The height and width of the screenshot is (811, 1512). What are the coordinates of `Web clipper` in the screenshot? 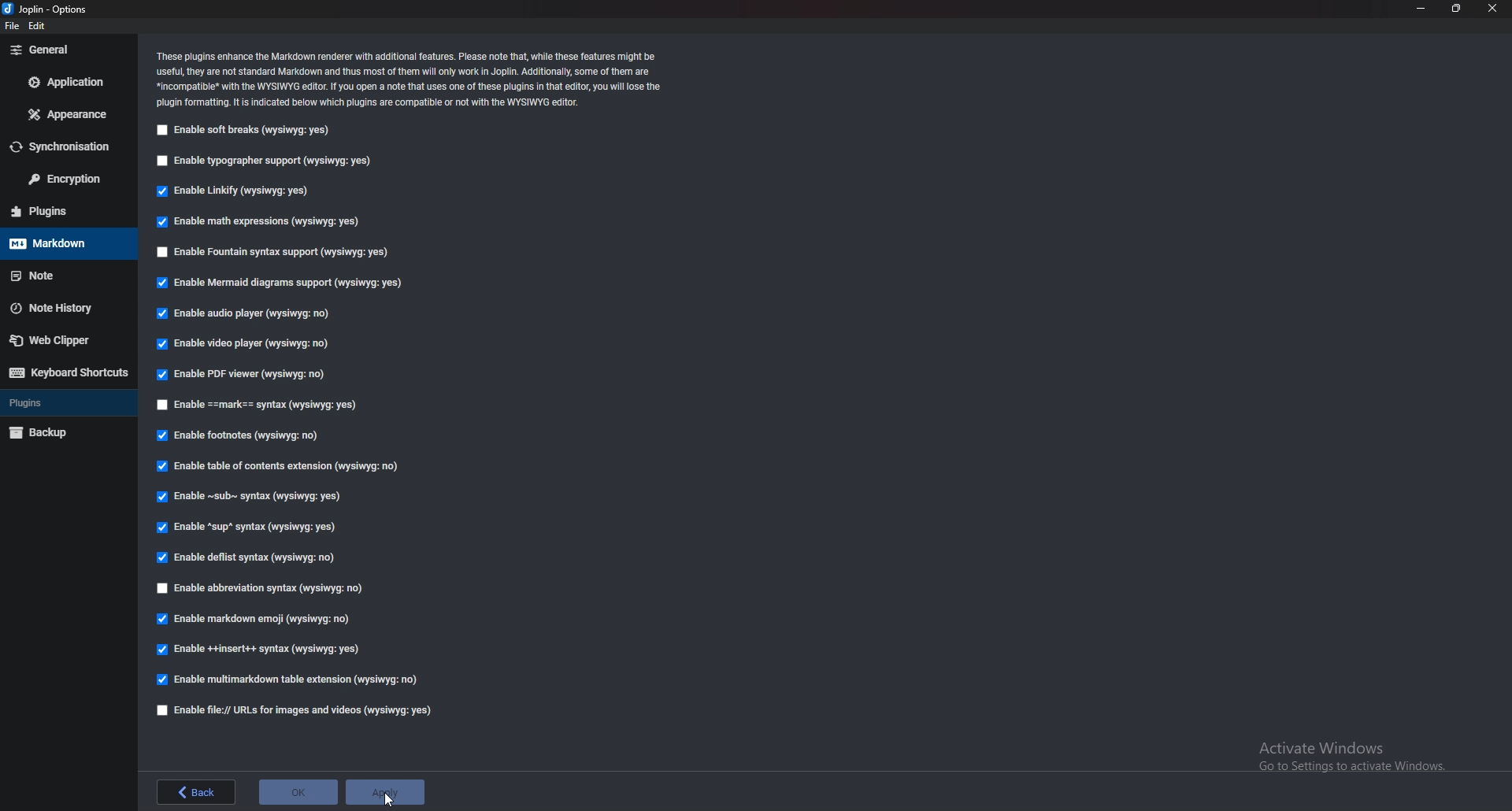 It's located at (63, 342).